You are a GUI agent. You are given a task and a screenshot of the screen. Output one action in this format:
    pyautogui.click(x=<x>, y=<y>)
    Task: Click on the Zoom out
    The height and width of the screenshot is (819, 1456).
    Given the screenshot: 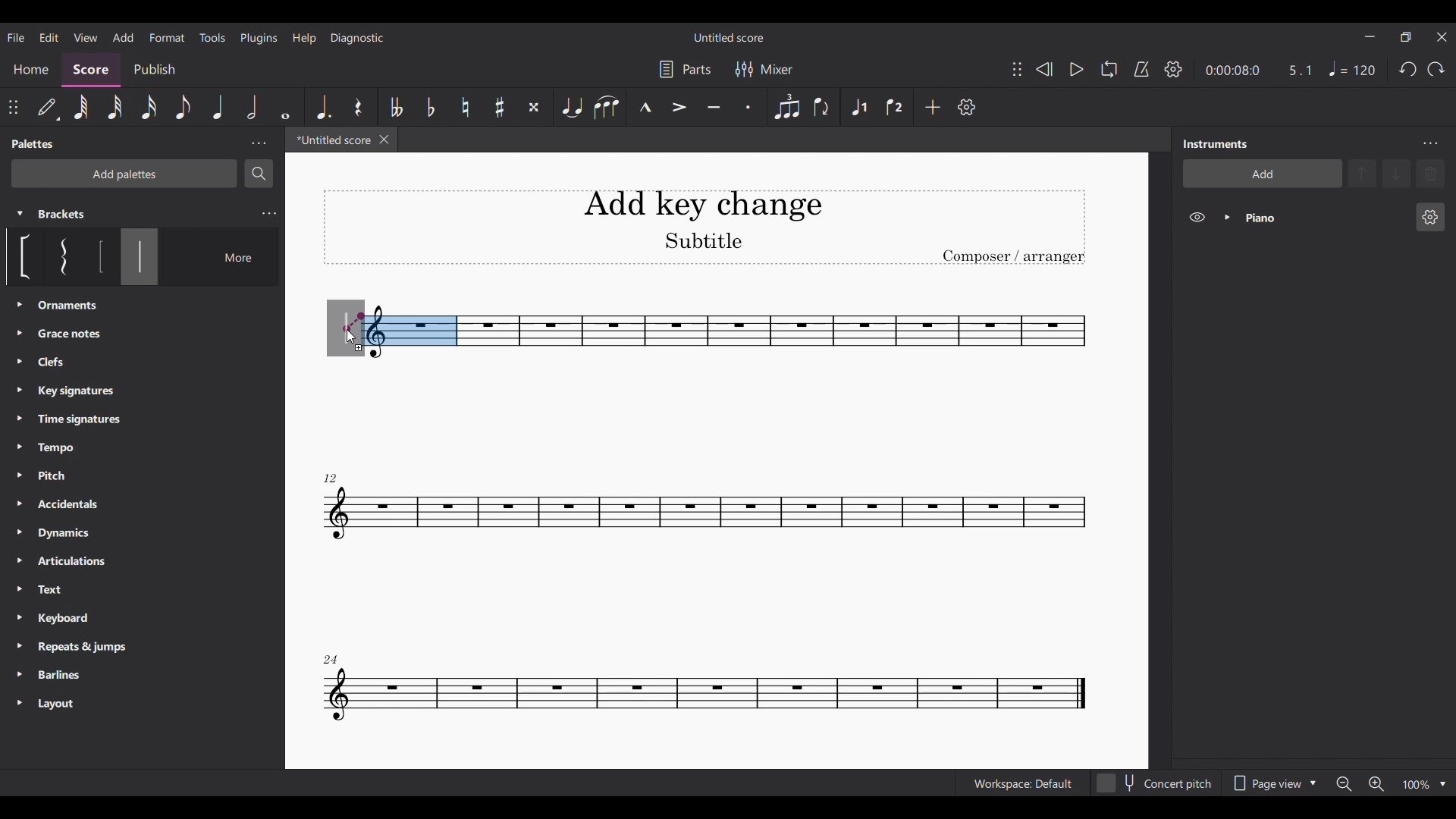 What is the action you would take?
    pyautogui.click(x=1342, y=784)
    